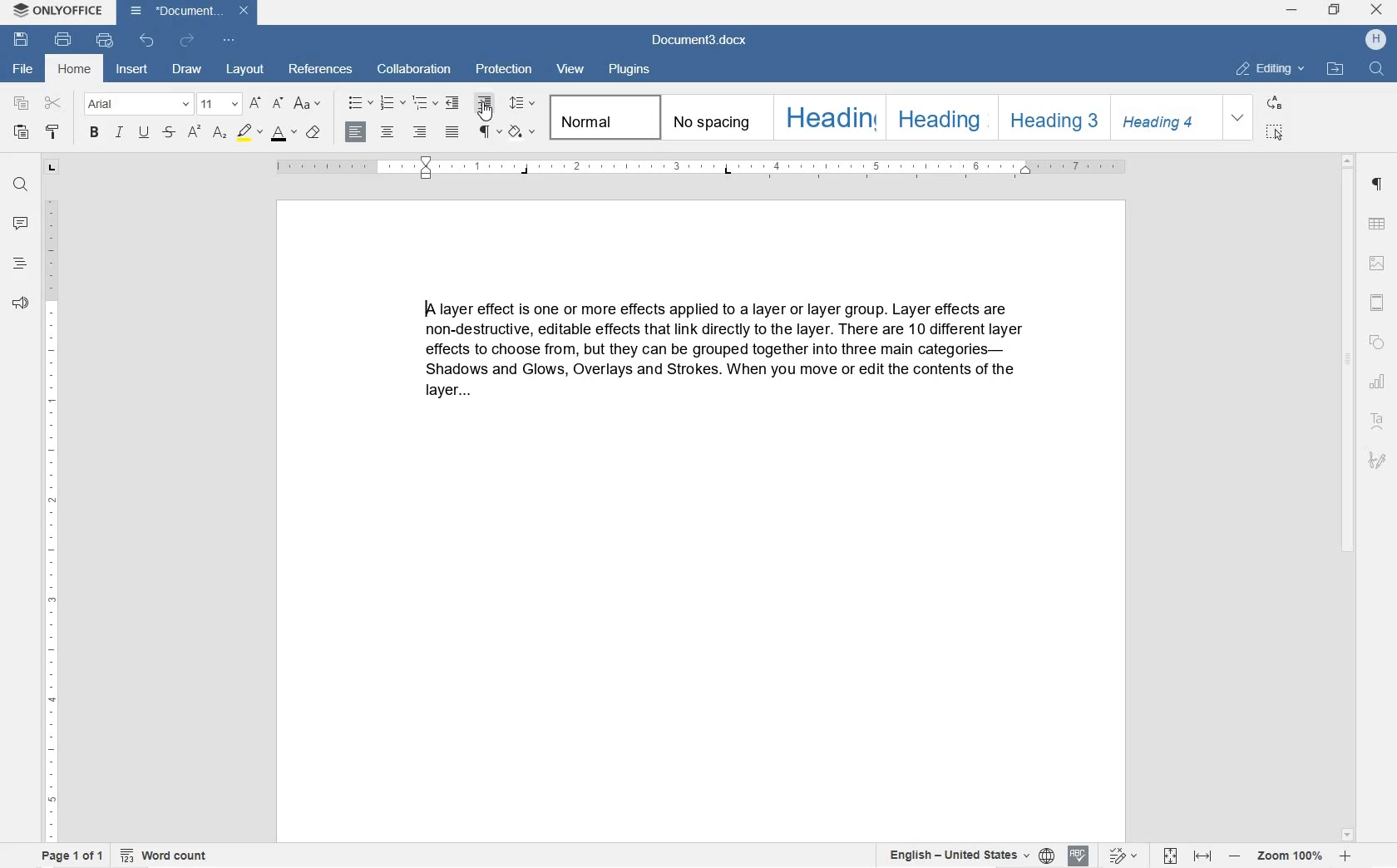 This screenshot has width=1397, height=868. Describe the element at coordinates (161, 856) in the screenshot. I see `WORD COUNT` at that location.